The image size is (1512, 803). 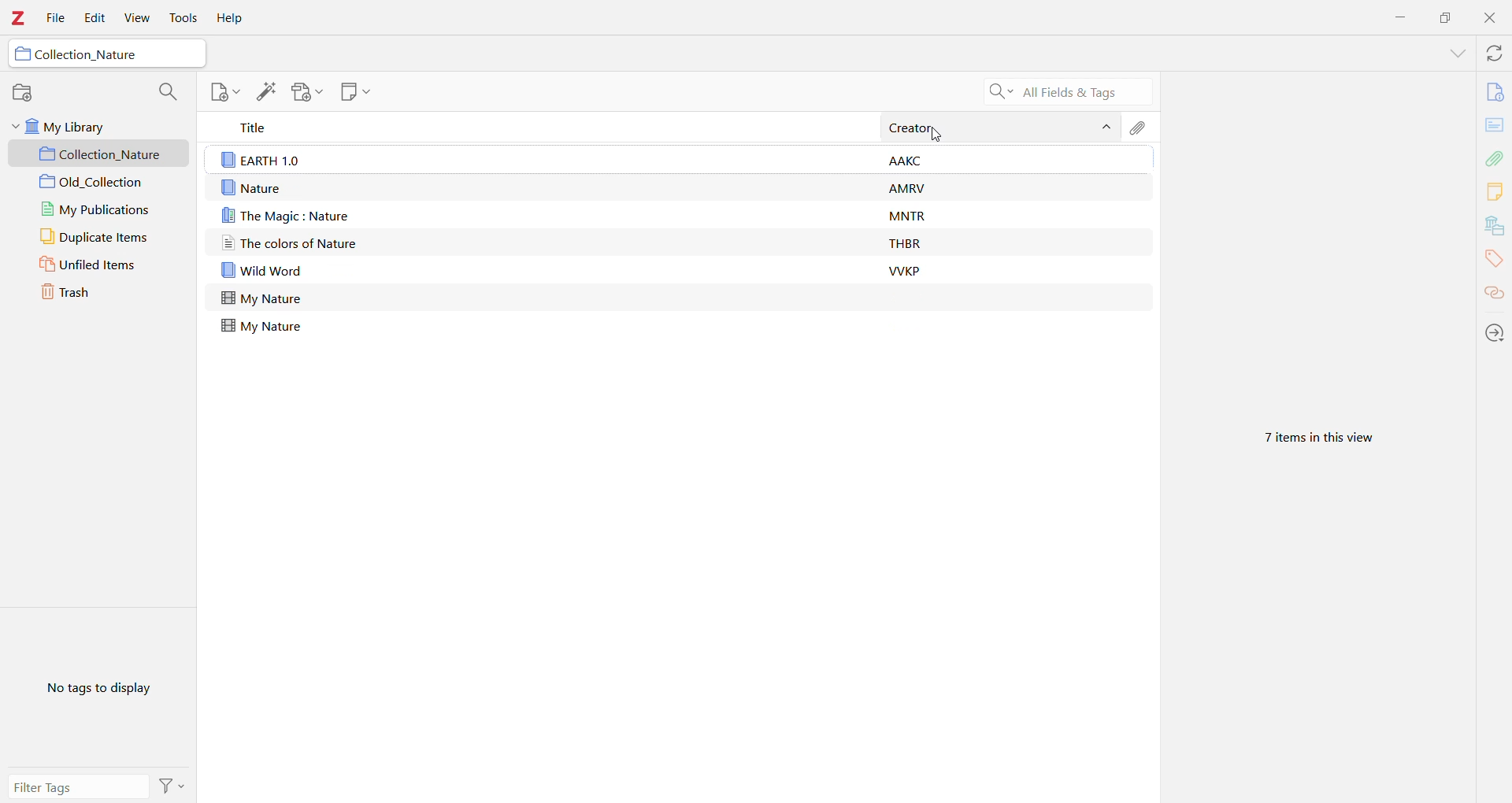 I want to click on My nature, so click(x=282, y=187).